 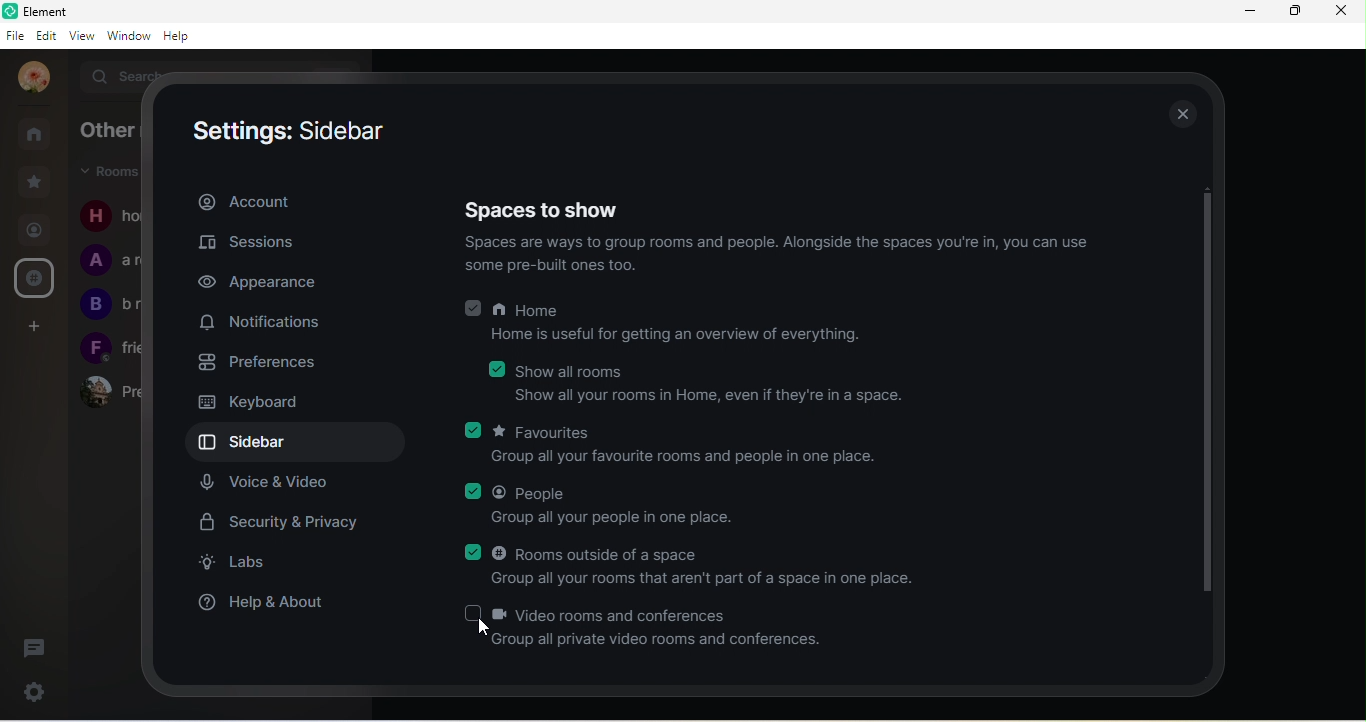 What do you see at coordinates (244, 203) in the screenshot?
I see `account` at bounding box center [244, 203].